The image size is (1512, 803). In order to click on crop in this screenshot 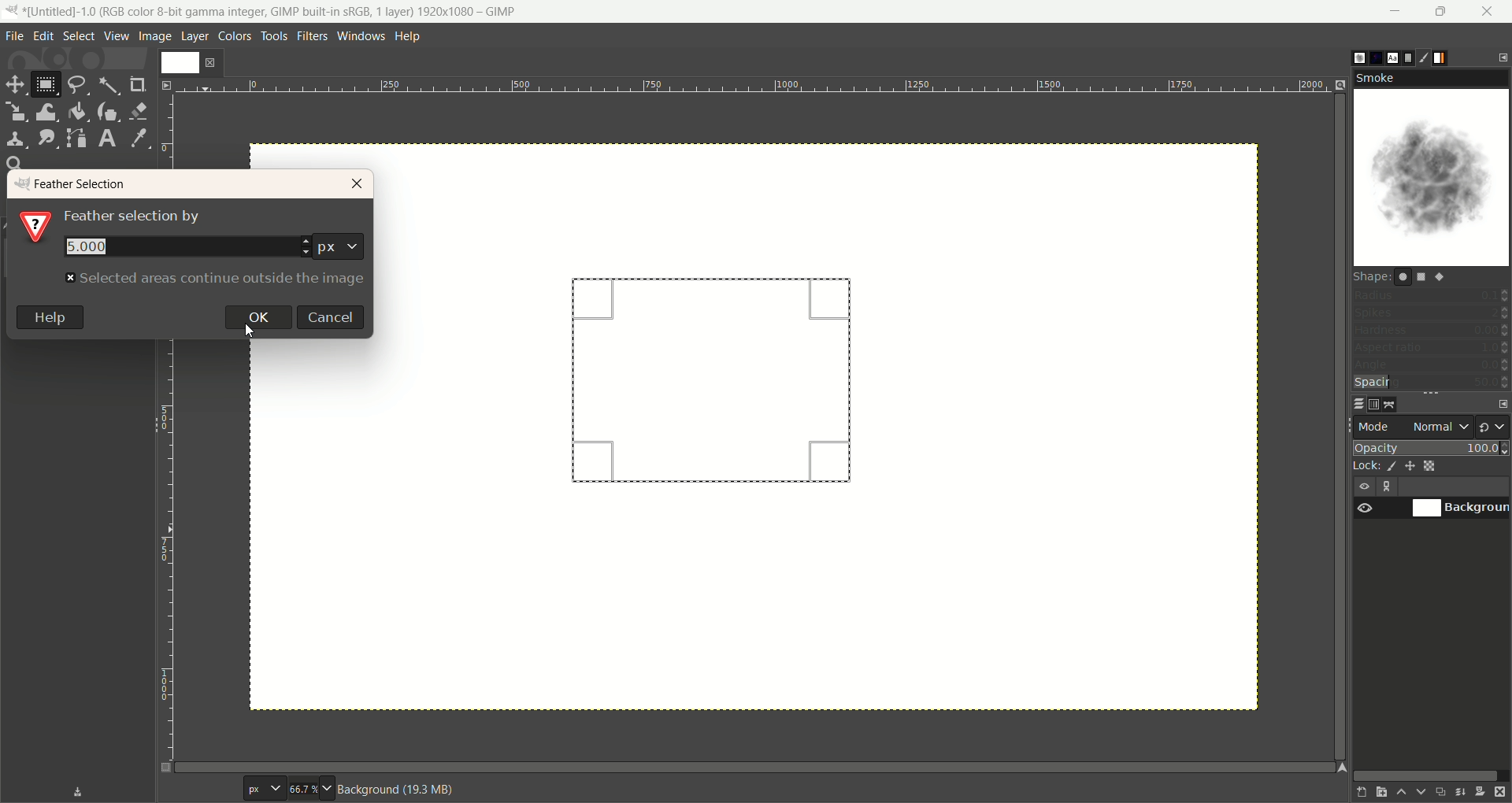, I will do `click(140, 87)`.